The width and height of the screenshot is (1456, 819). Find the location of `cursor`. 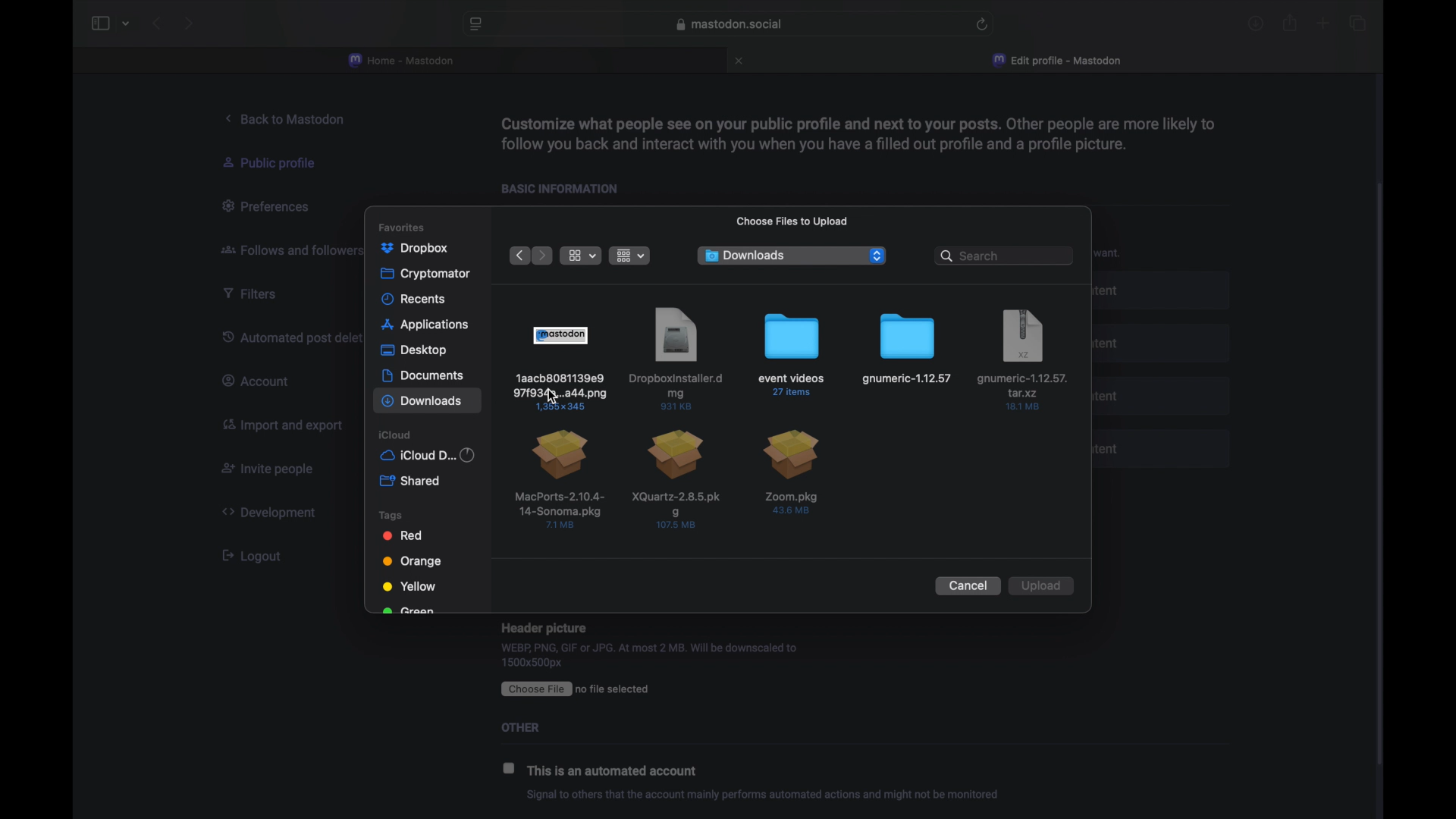

cursor is located at coordinates (557, 398).